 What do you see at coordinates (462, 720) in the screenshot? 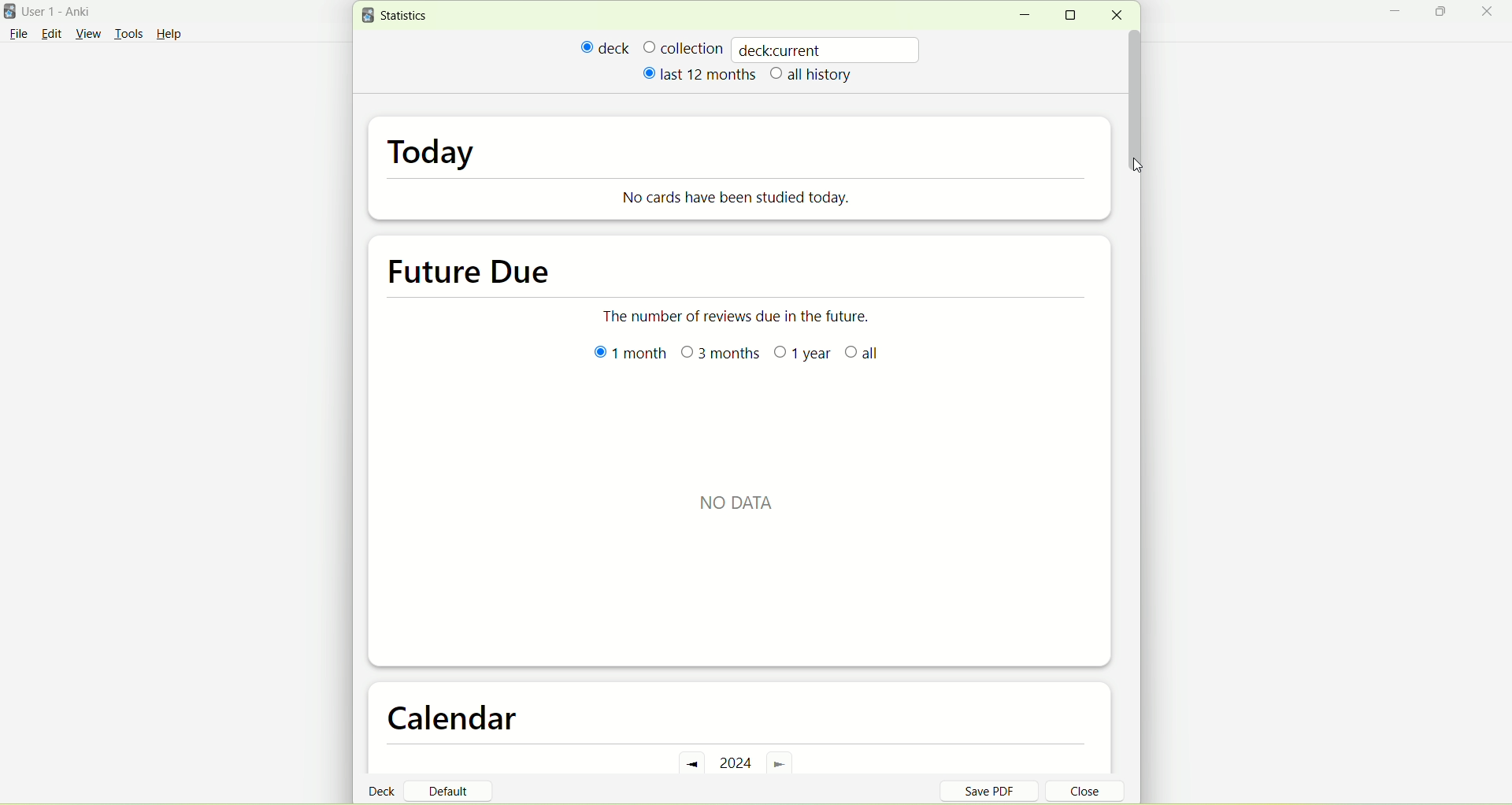
I see `calendar` at bounding box center [462, 720].